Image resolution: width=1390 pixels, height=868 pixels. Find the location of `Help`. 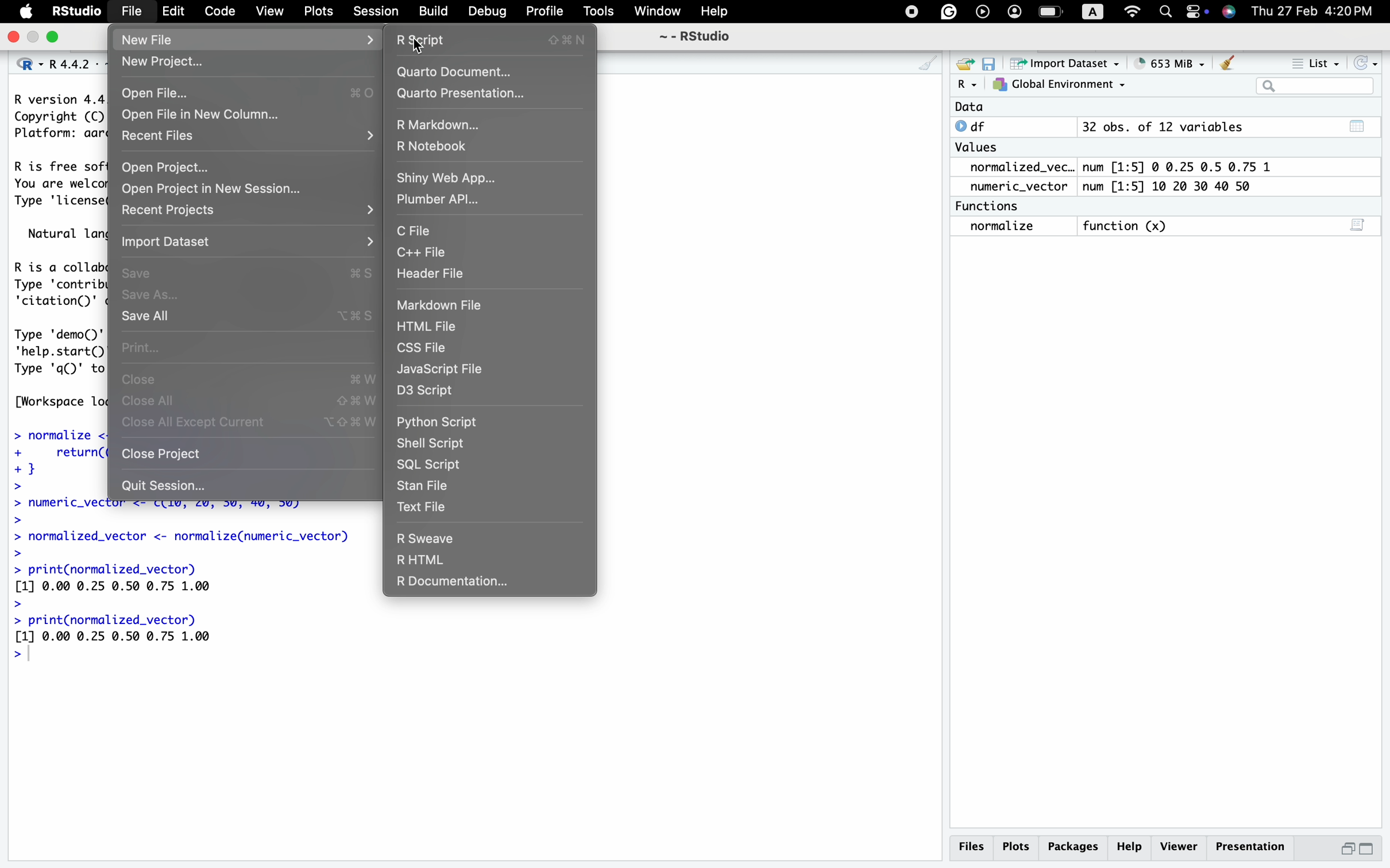

Help is located at coordinates (716, 12).